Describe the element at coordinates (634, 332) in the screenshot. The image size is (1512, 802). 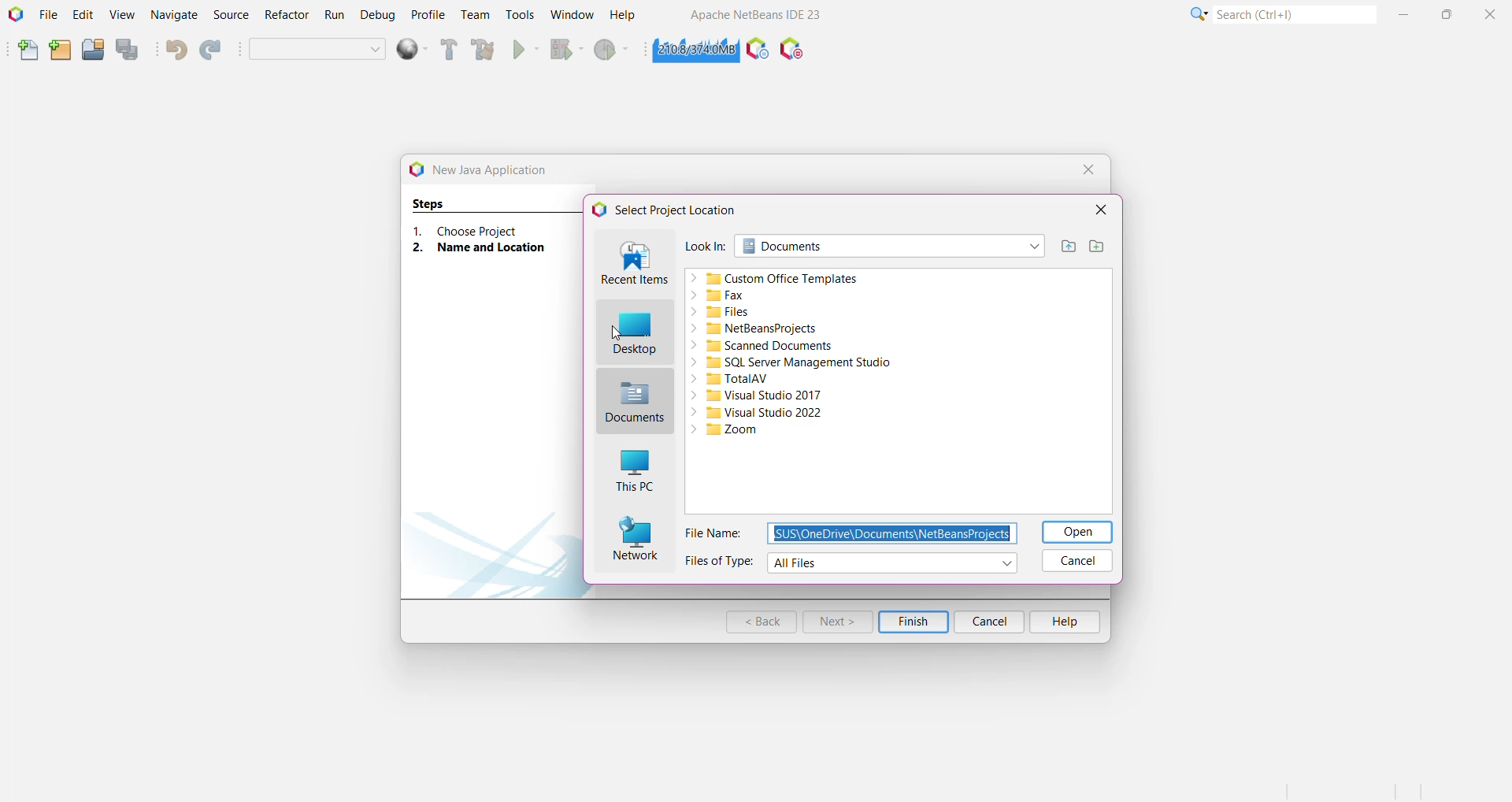
I see `Desktop` at that location.